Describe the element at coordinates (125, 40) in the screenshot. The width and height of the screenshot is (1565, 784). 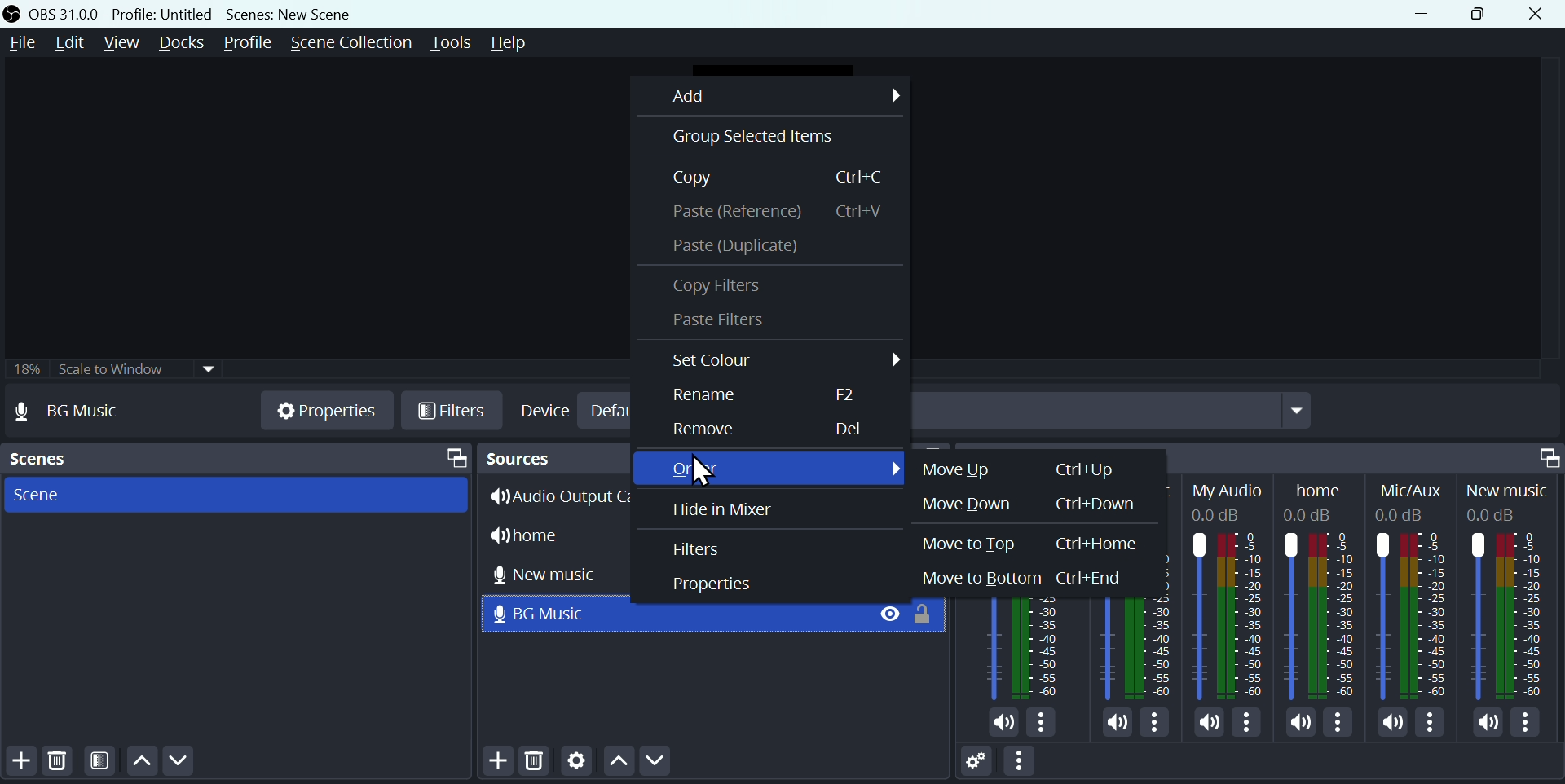
I see `View` at that location.